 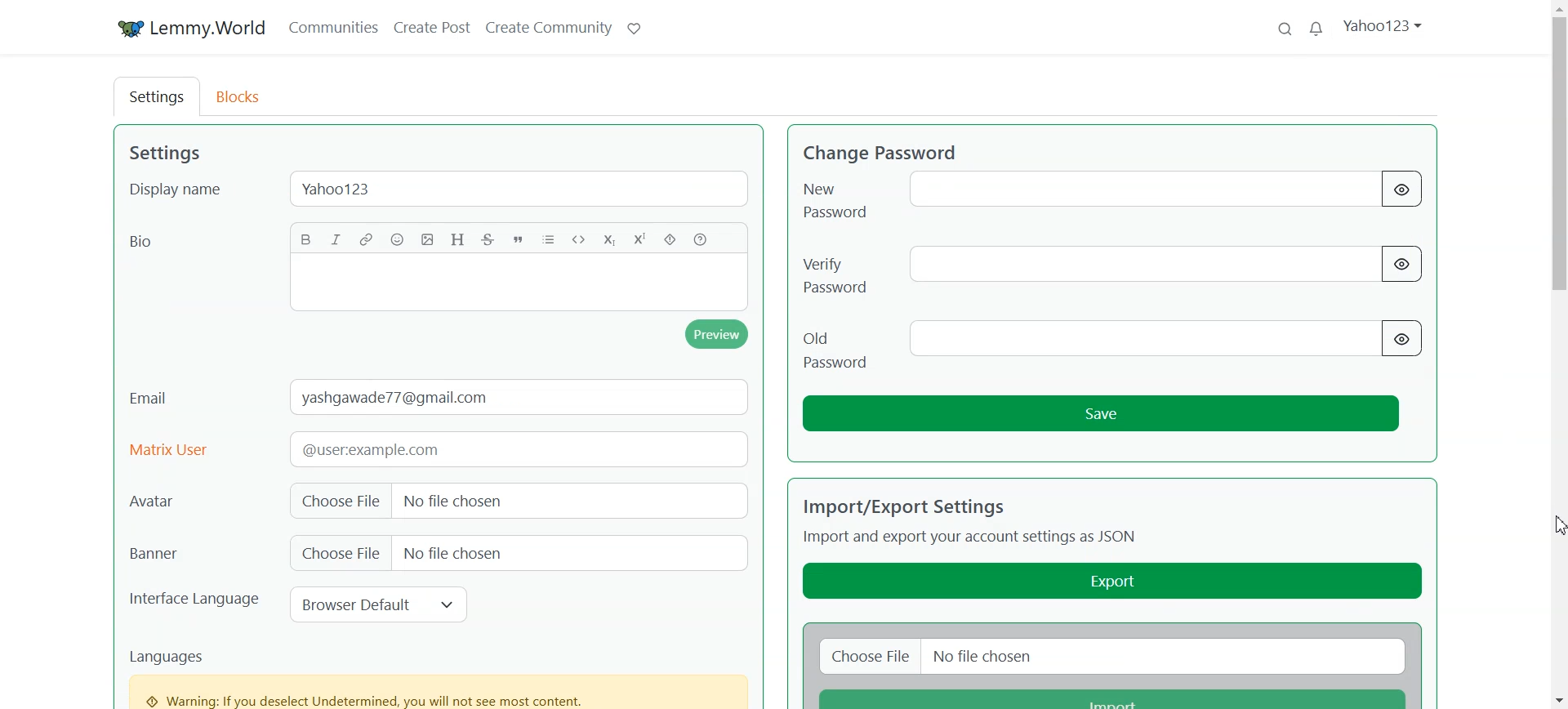 I want to click on View Password, so click(x=1401, y=190).